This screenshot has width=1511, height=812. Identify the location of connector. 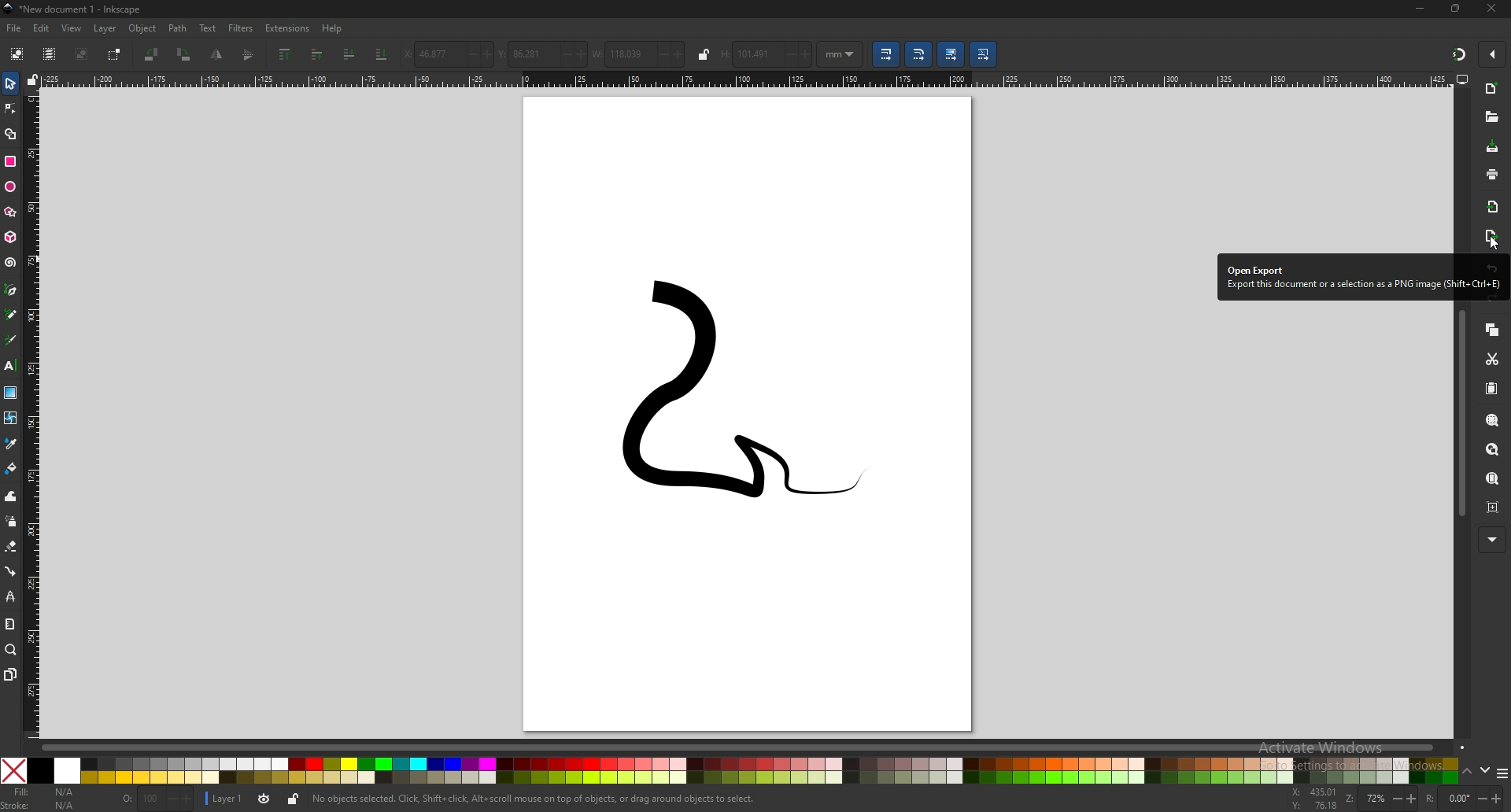
(10, 570).